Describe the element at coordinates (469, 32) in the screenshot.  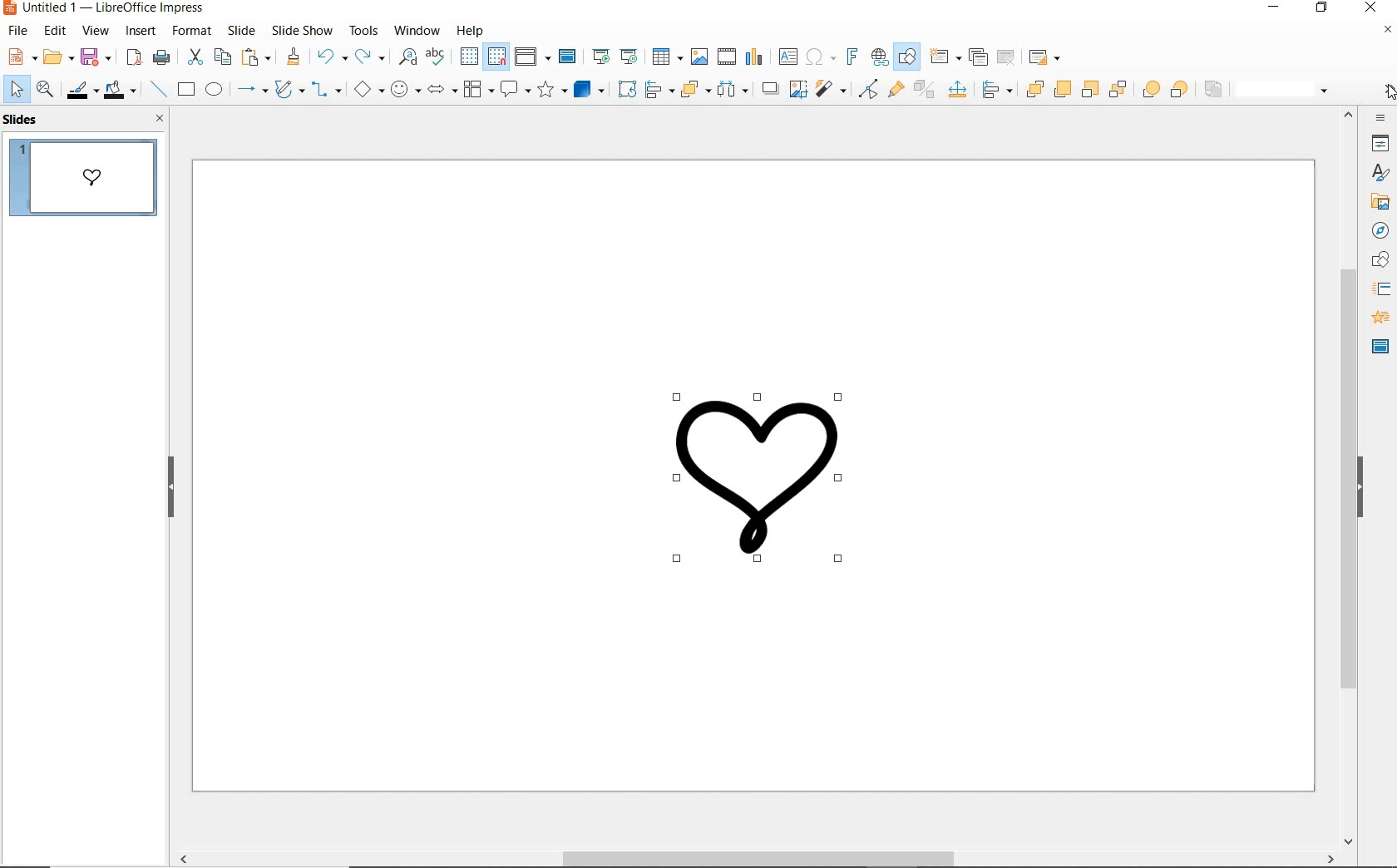
I see `help` at that location.